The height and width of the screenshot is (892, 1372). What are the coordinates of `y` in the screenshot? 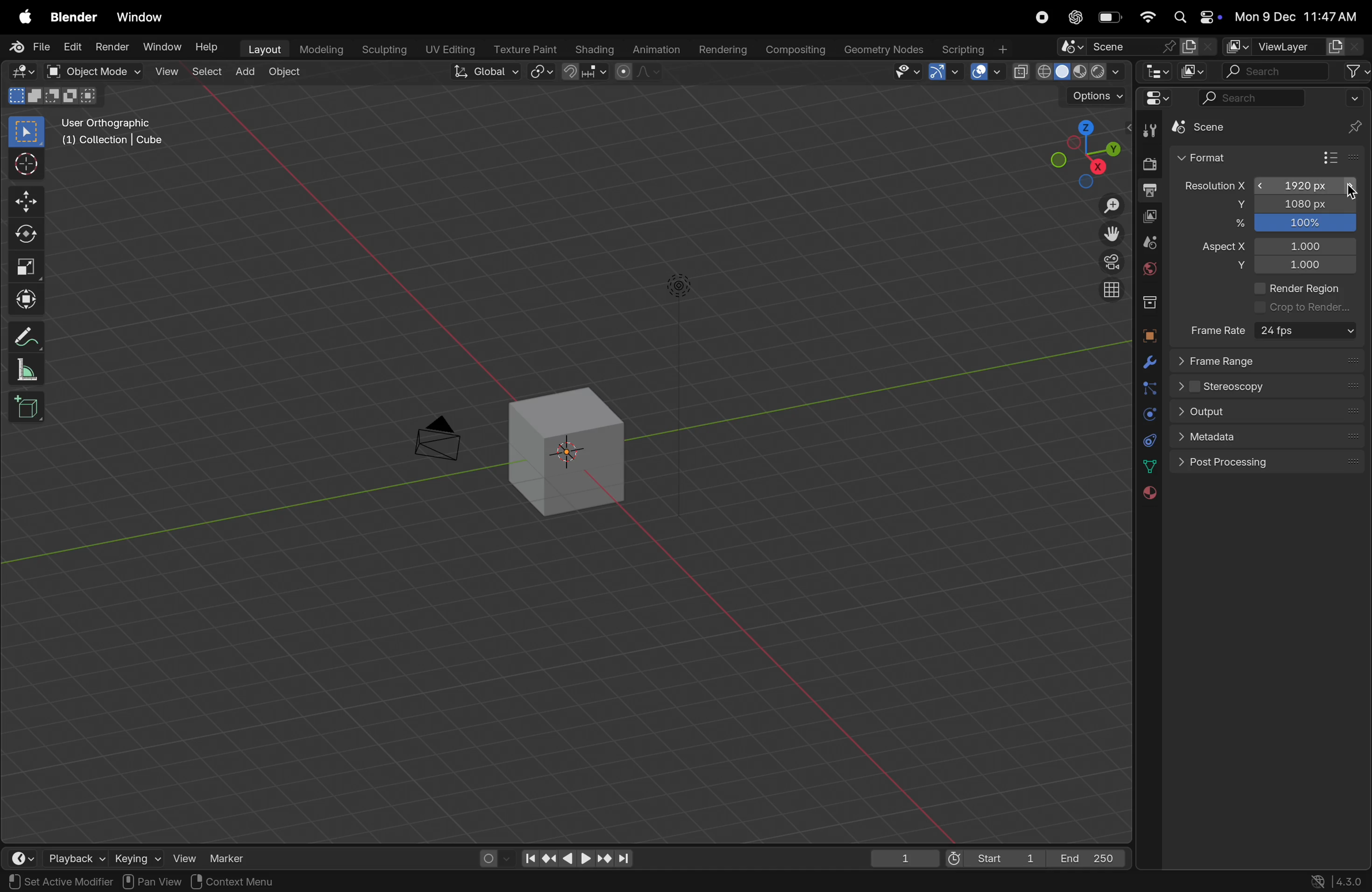 It's located at (1234, 205).